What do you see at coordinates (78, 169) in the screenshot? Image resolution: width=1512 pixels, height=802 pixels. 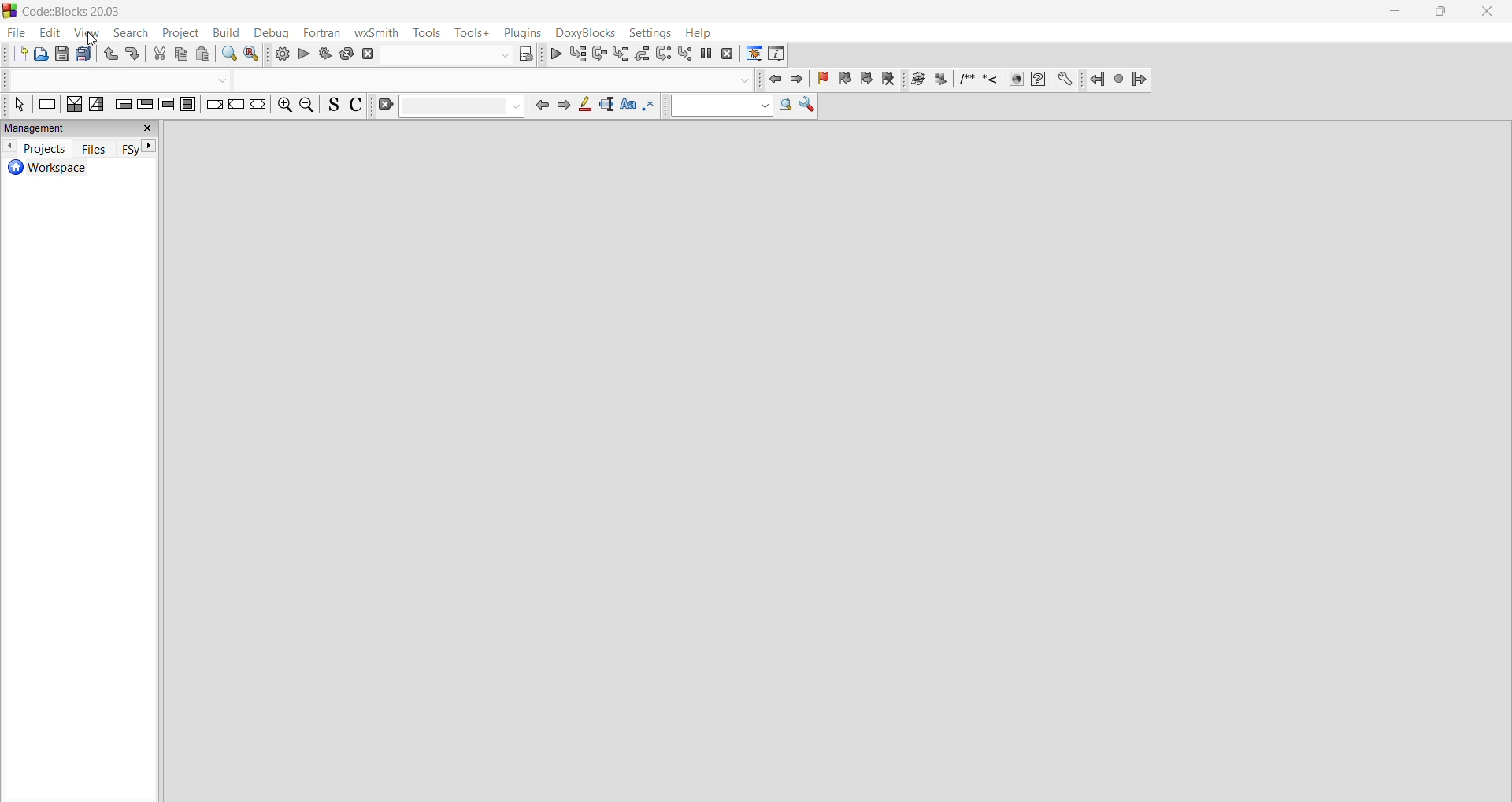 I see `workspace` at bounding box center [78, 169].